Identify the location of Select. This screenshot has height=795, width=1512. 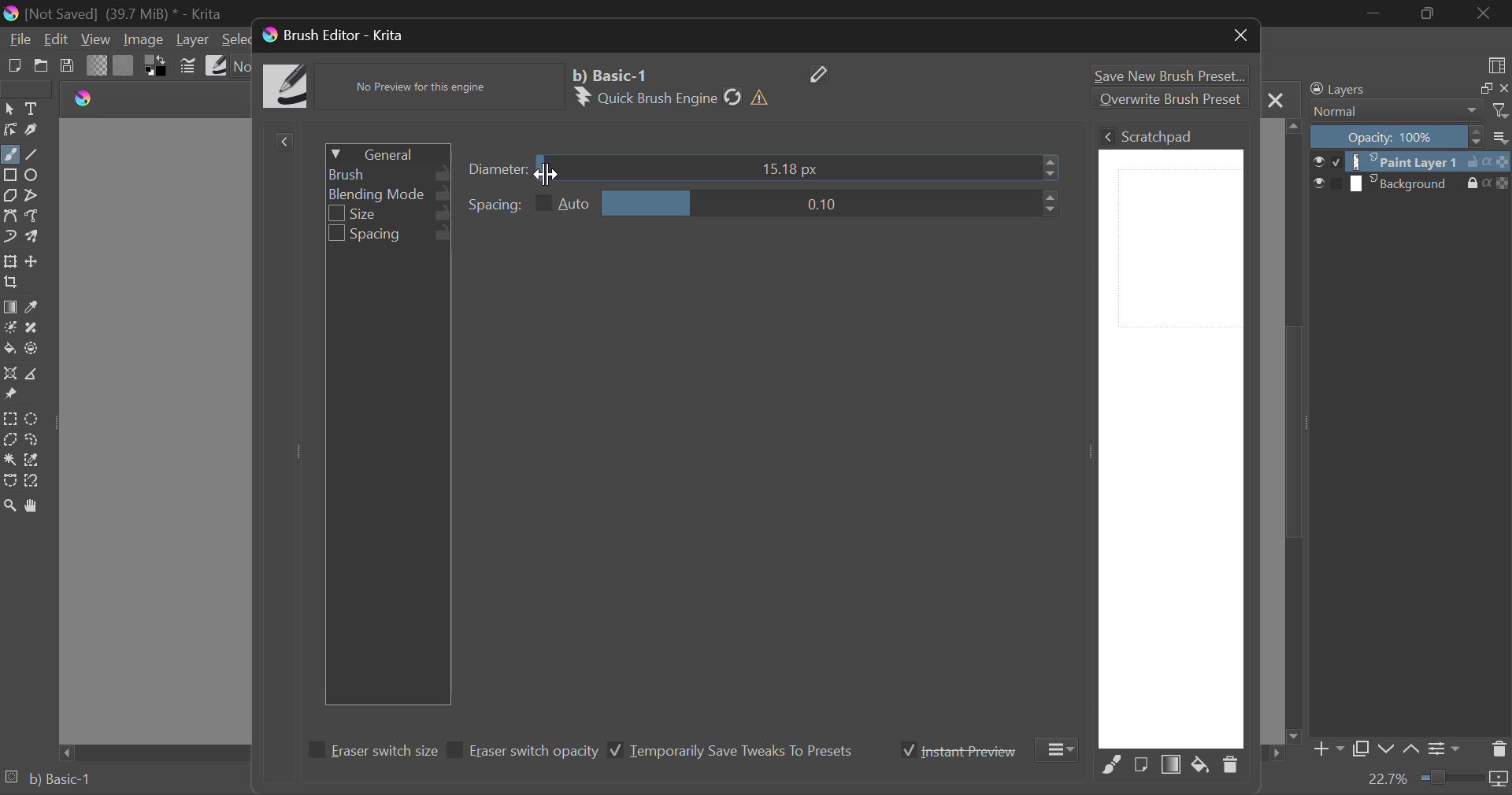
(233, 42).